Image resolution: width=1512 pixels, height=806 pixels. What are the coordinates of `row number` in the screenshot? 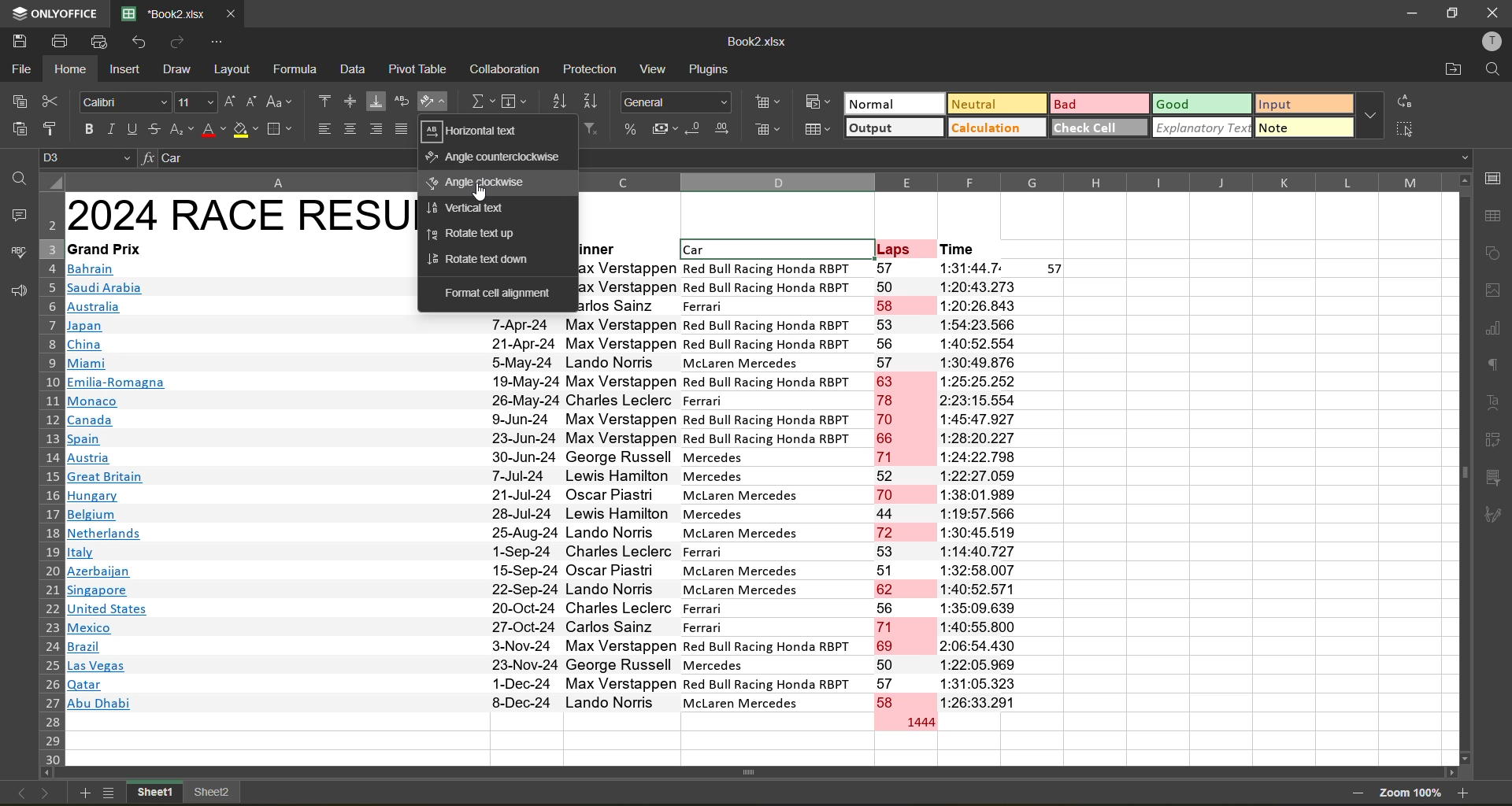 It's located at (48, 479).